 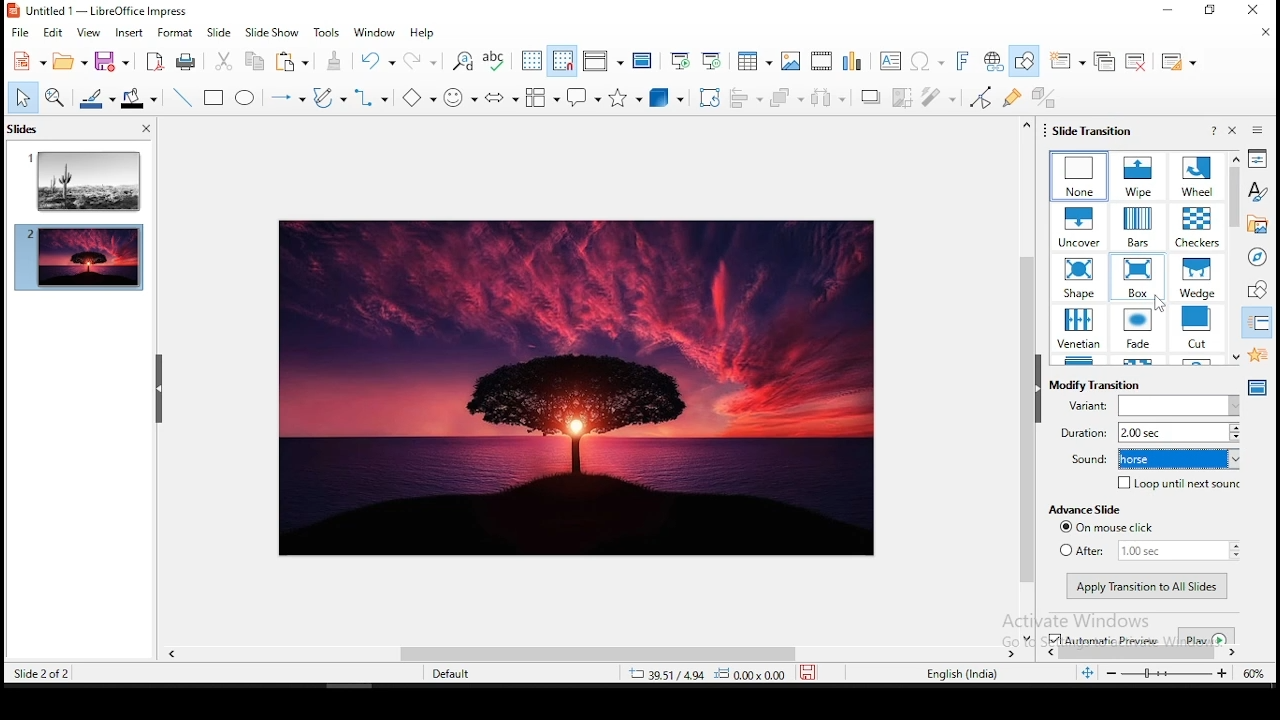 I want to click on slide show, so click(x=271, y=32).